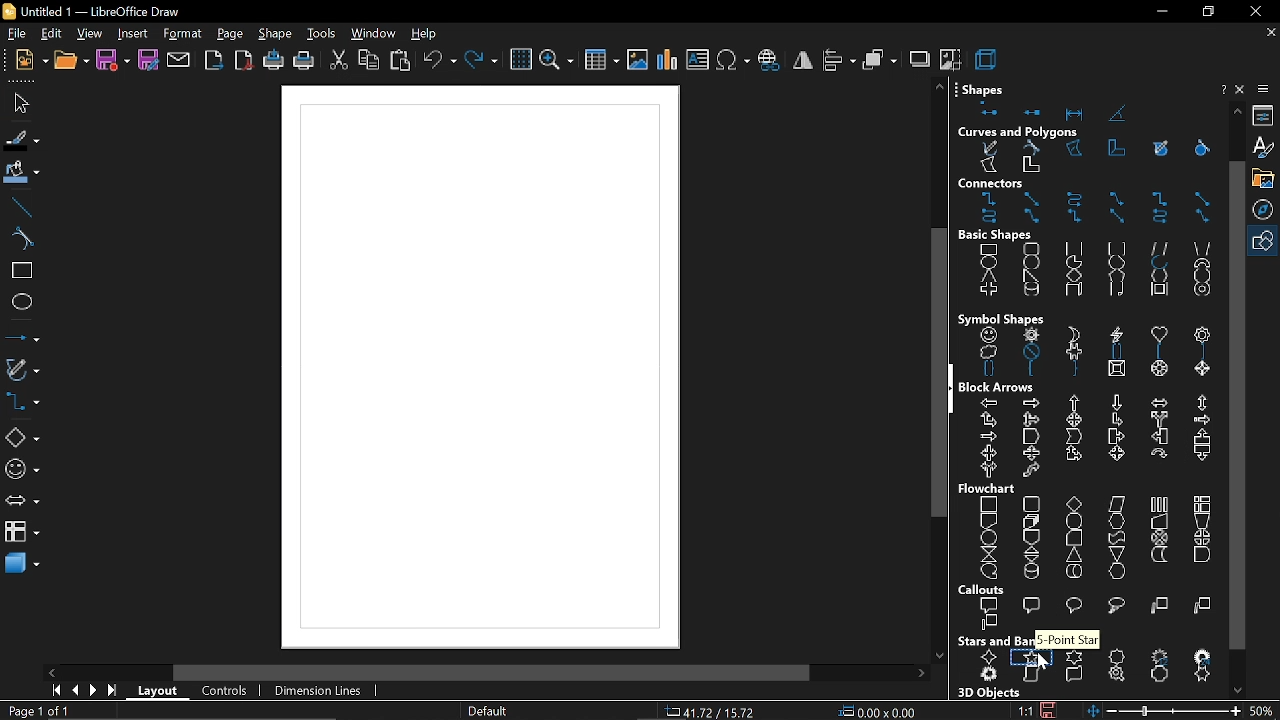 This screenshot has height=720, width=1280. Describe the element at coordinates (1210, 13) in the screenshot. I see `restore down` at that location.